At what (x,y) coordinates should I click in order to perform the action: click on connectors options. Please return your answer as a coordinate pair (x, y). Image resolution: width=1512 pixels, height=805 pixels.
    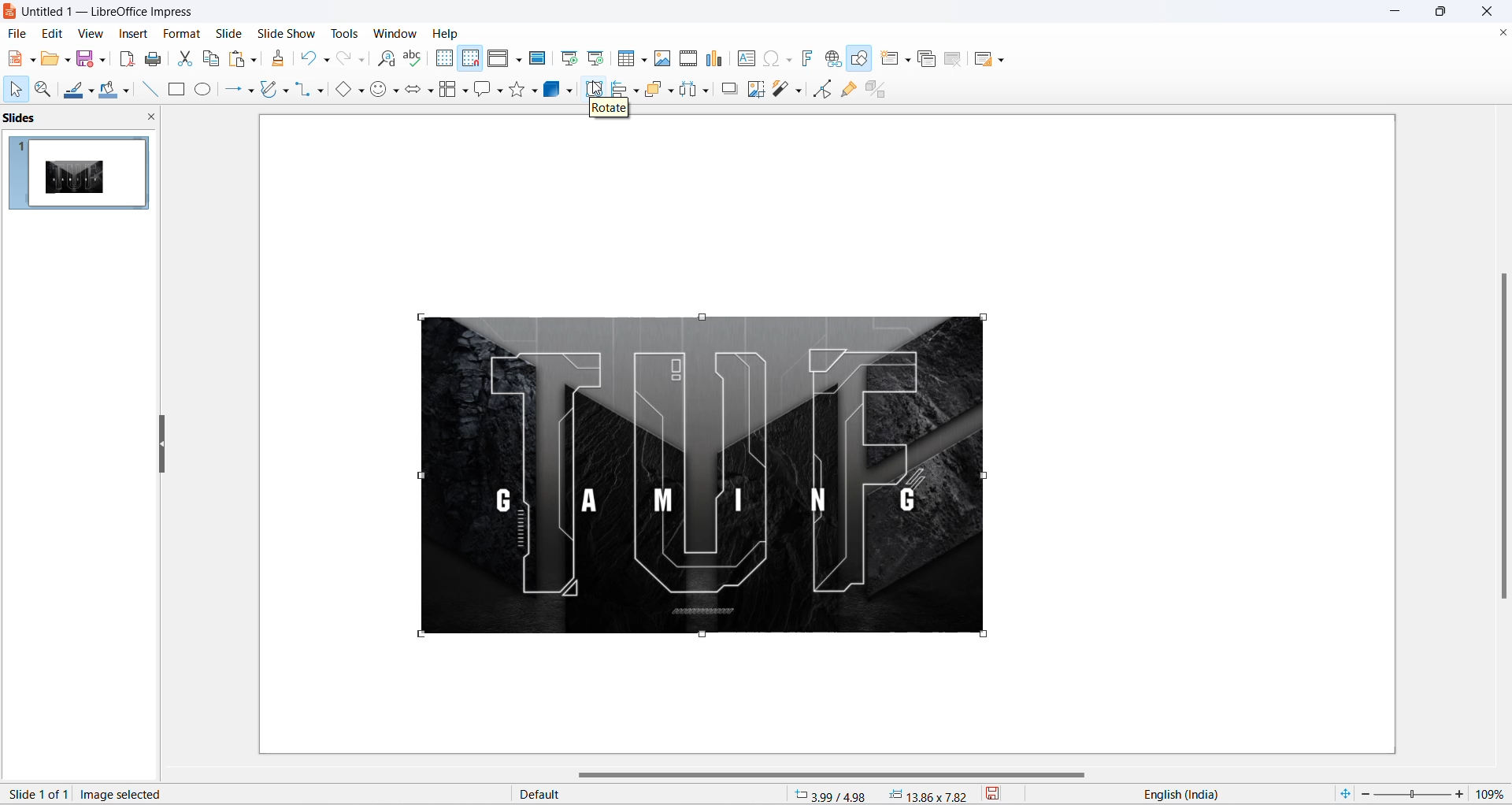
    Looking at the image, I should click on (318, 90).